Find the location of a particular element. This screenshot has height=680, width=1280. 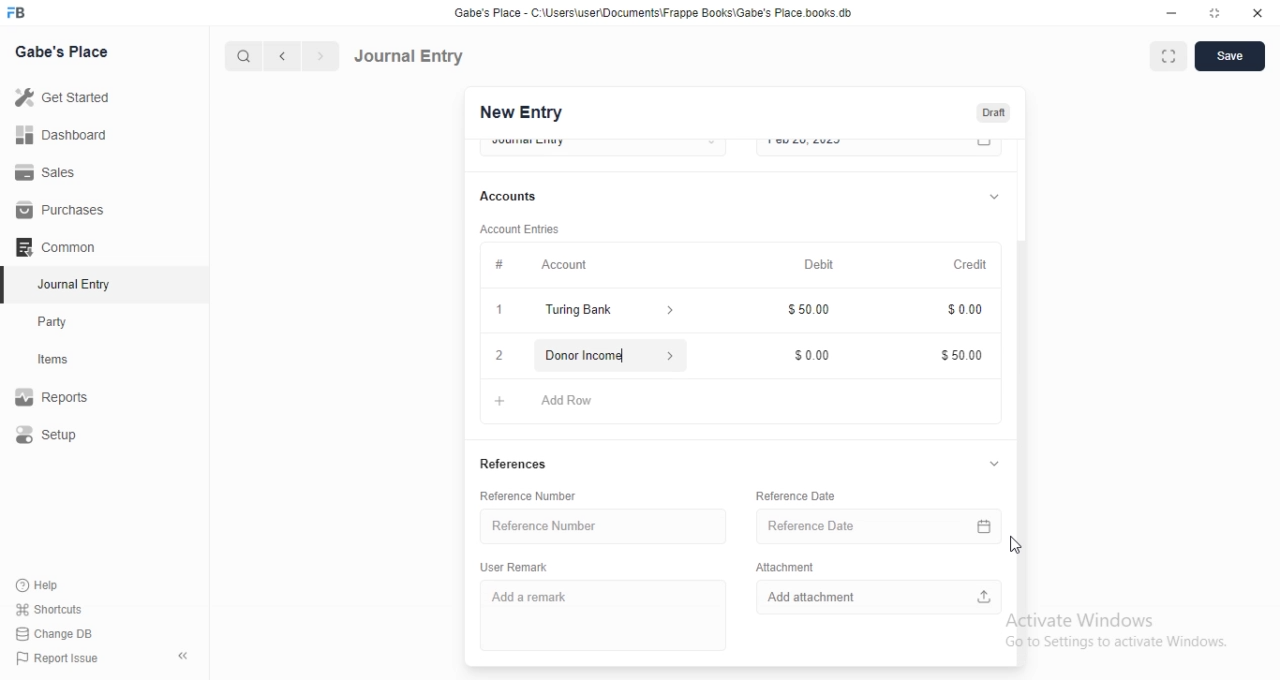

Change DB is located at coordinates (60, 633).